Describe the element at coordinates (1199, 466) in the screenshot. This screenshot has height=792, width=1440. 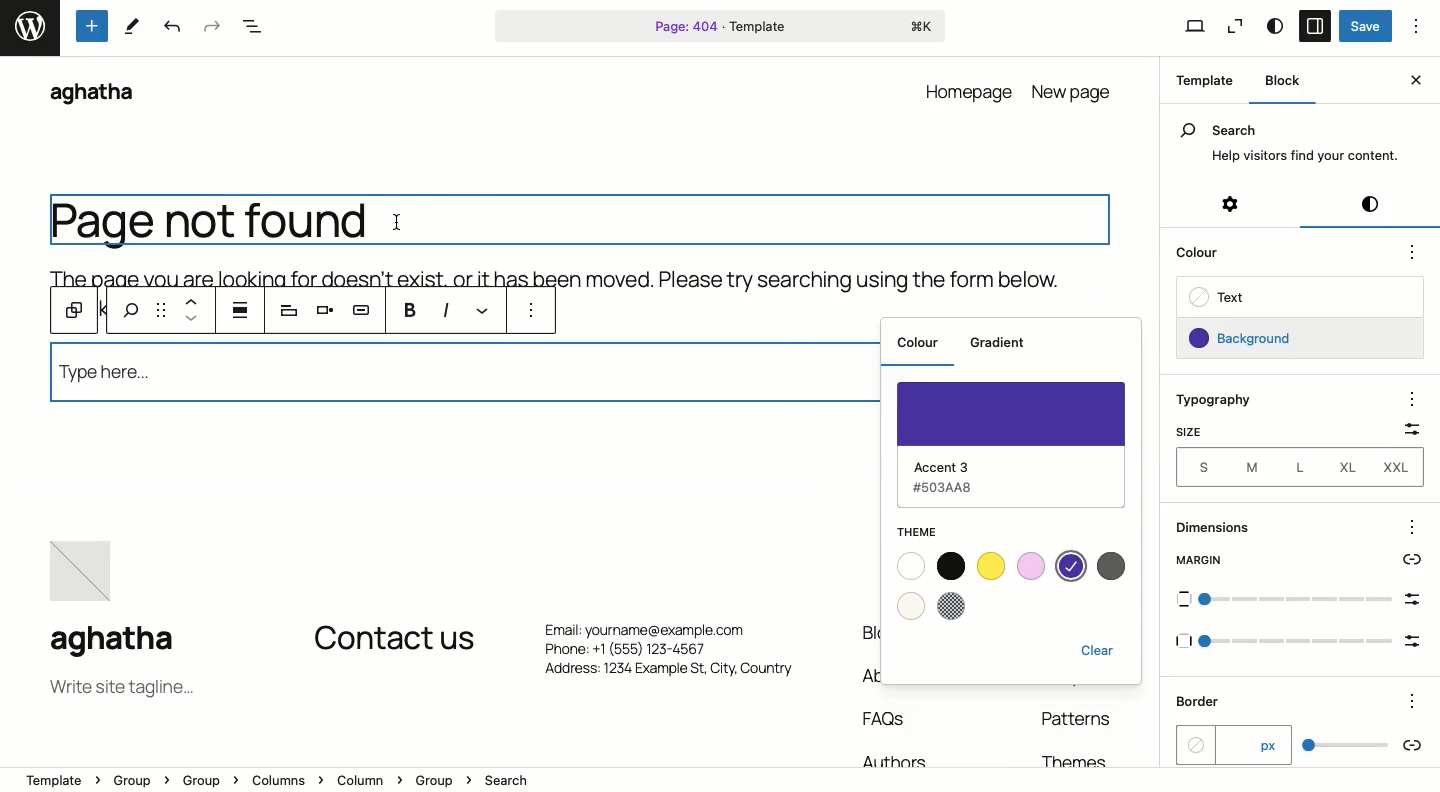
I see `Sizes` at that location.